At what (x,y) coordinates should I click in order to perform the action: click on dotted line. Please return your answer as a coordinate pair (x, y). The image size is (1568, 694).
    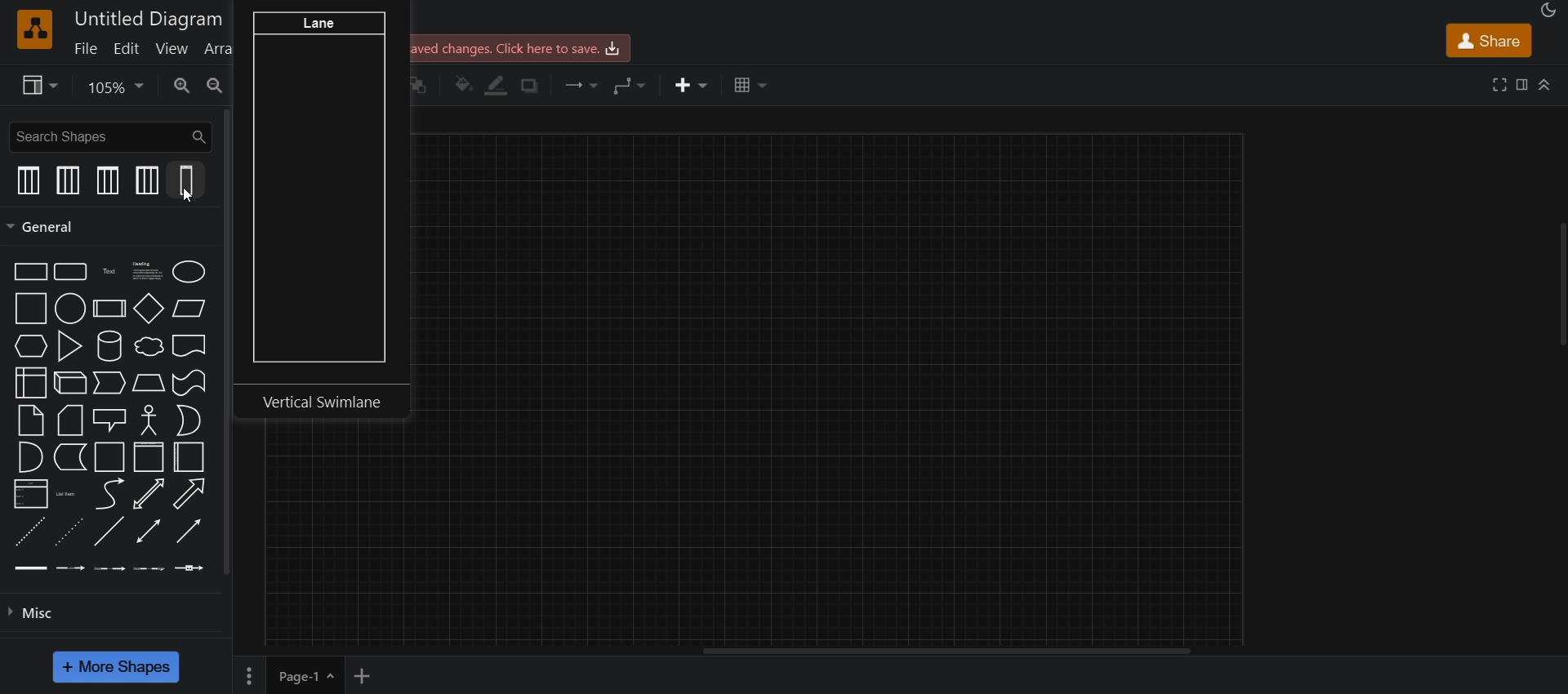
    Looking at the image, I should click on (69, 535).